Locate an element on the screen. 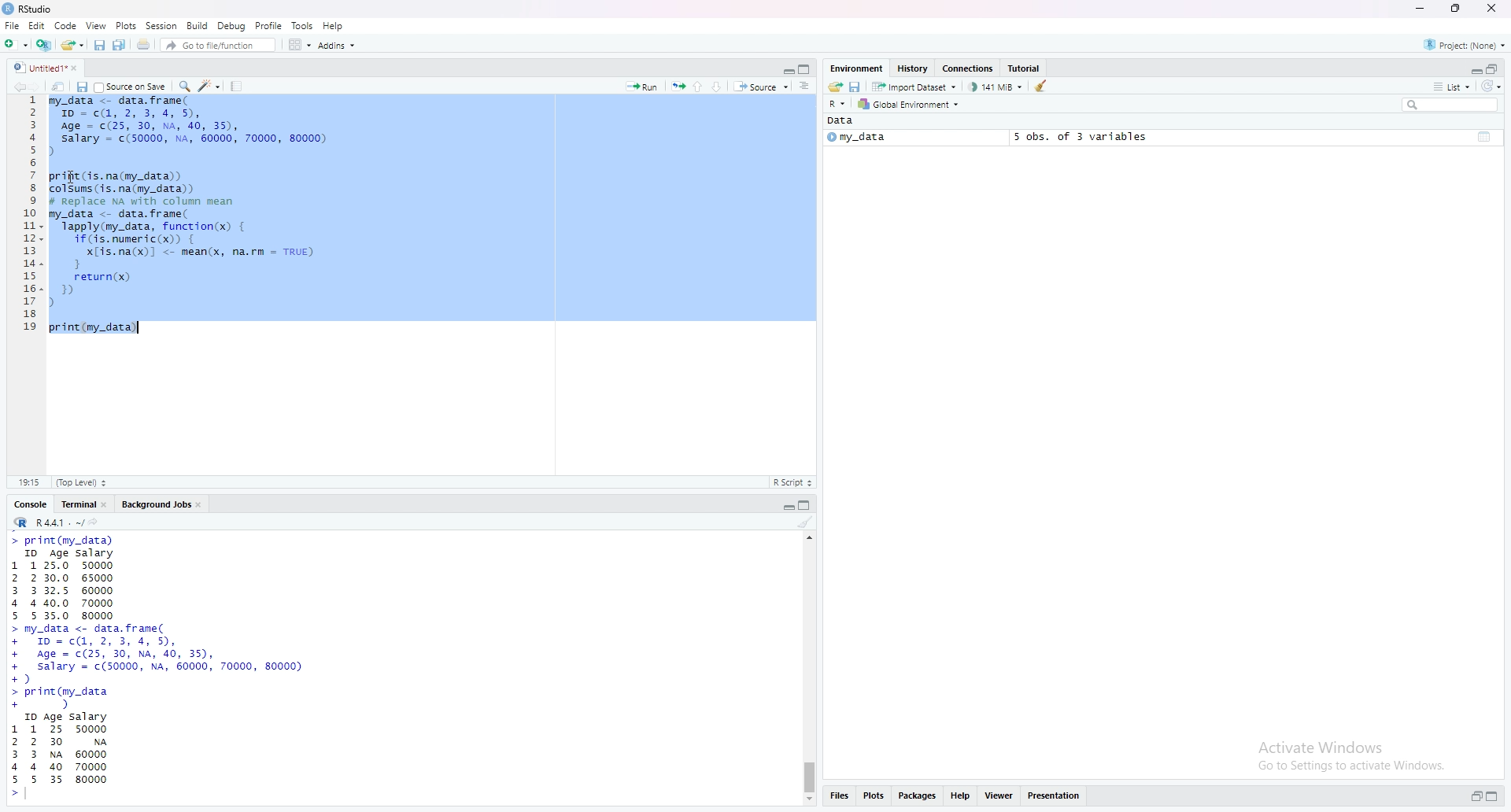 The height and width of the screenshot is (812, 1511). top level is located at coordinates (86, 481).